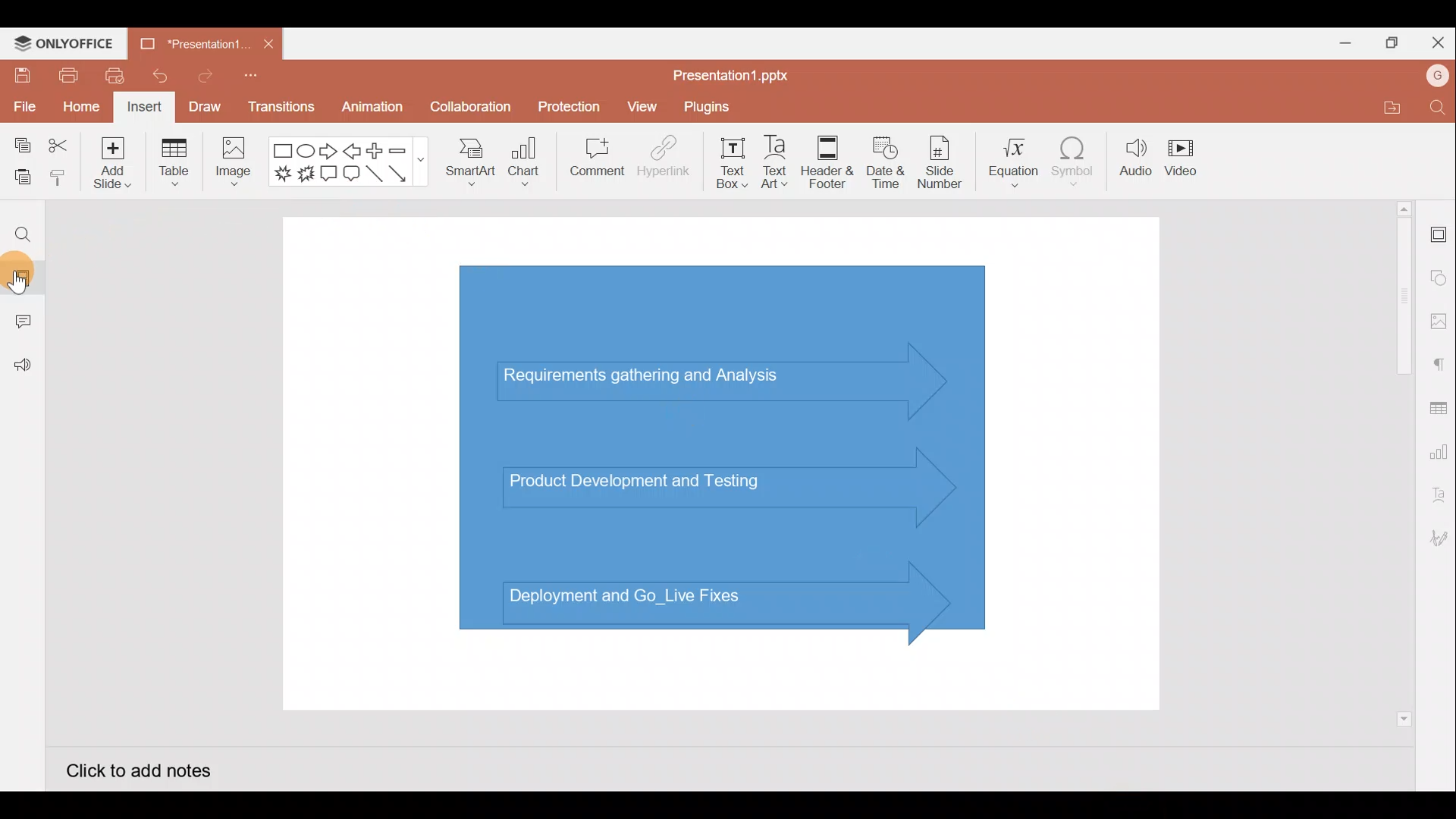 This screenshot has height=819, width=1456. I want to click on Account name, so click(1432, 78).